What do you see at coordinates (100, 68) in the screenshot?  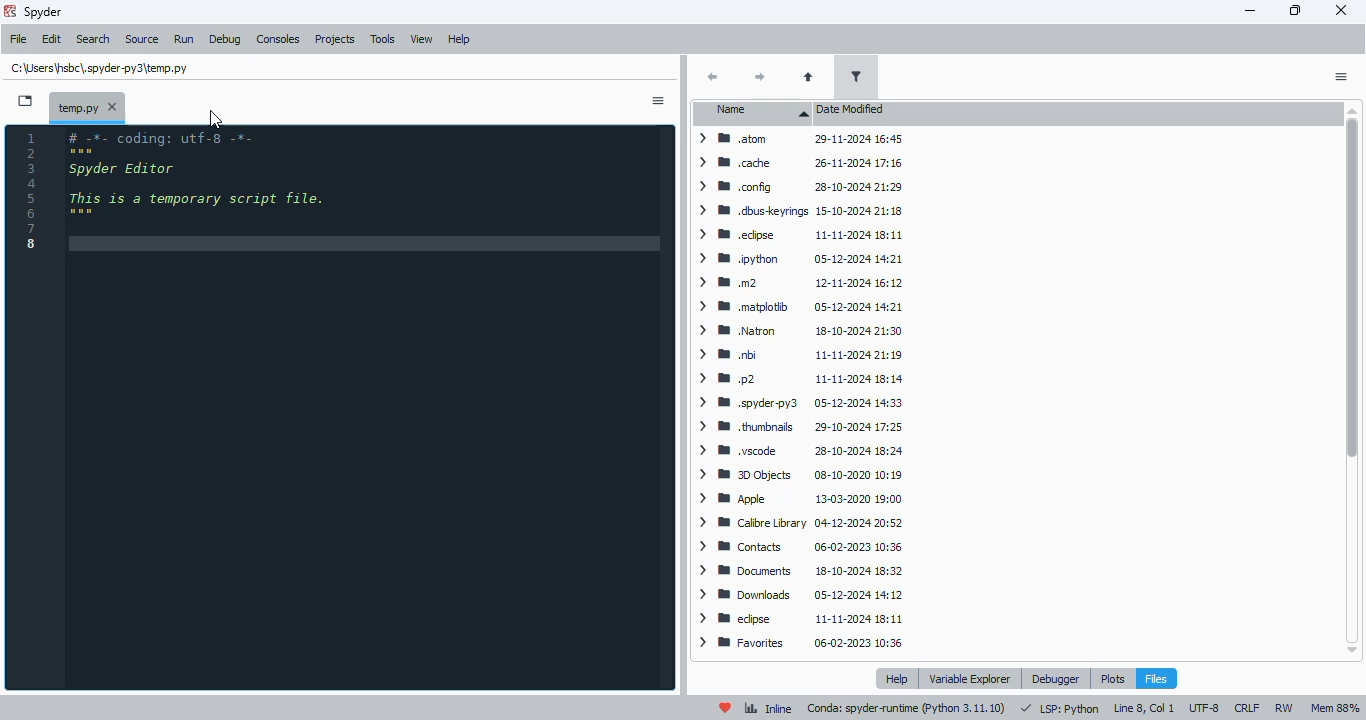 I see `untitled3.py` at bounding box center [100, 68].